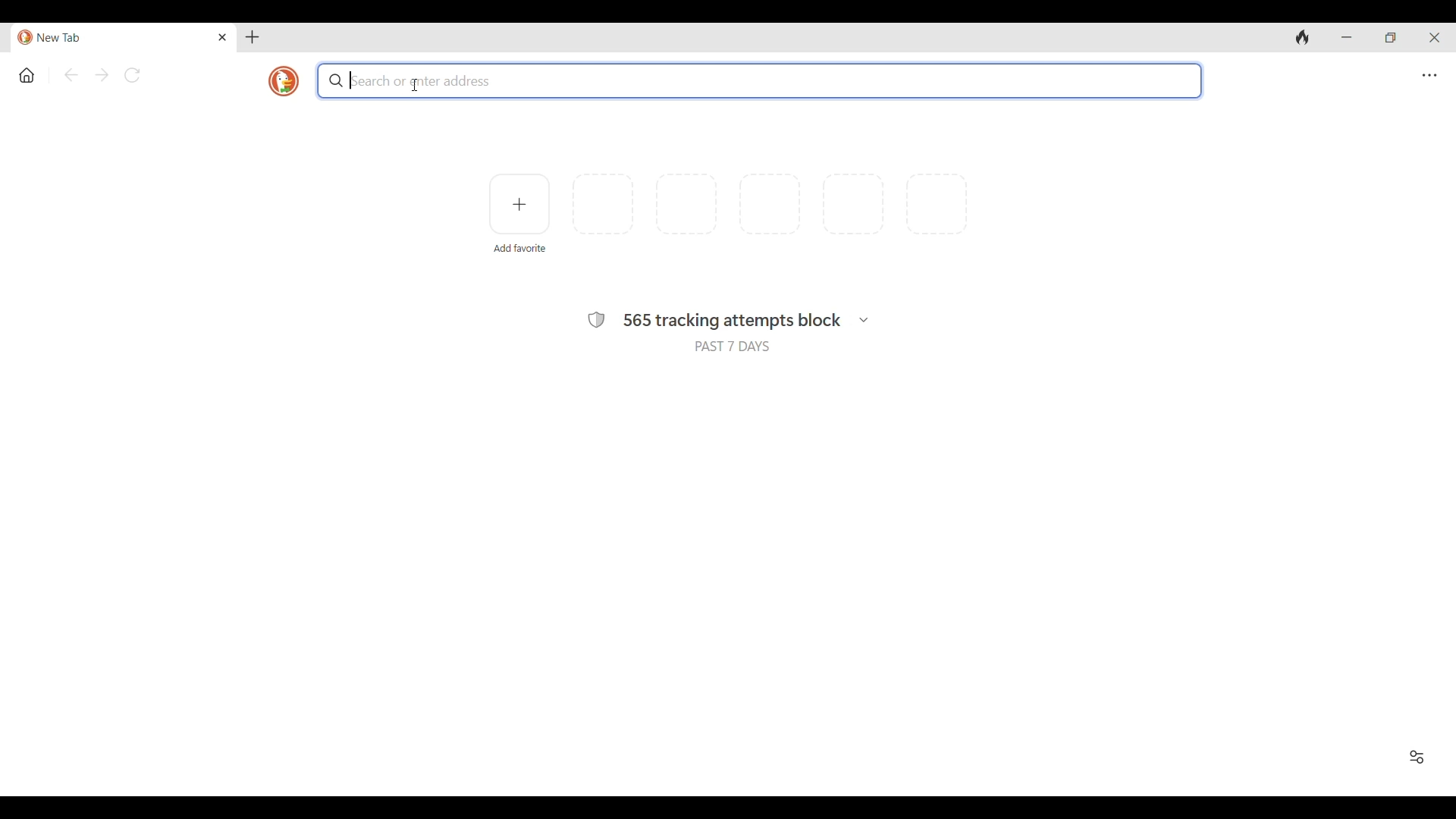  What do you see at coordinates (132, 75) in the screenshot?
I see `Reload page` at bounding box center [132, 75].